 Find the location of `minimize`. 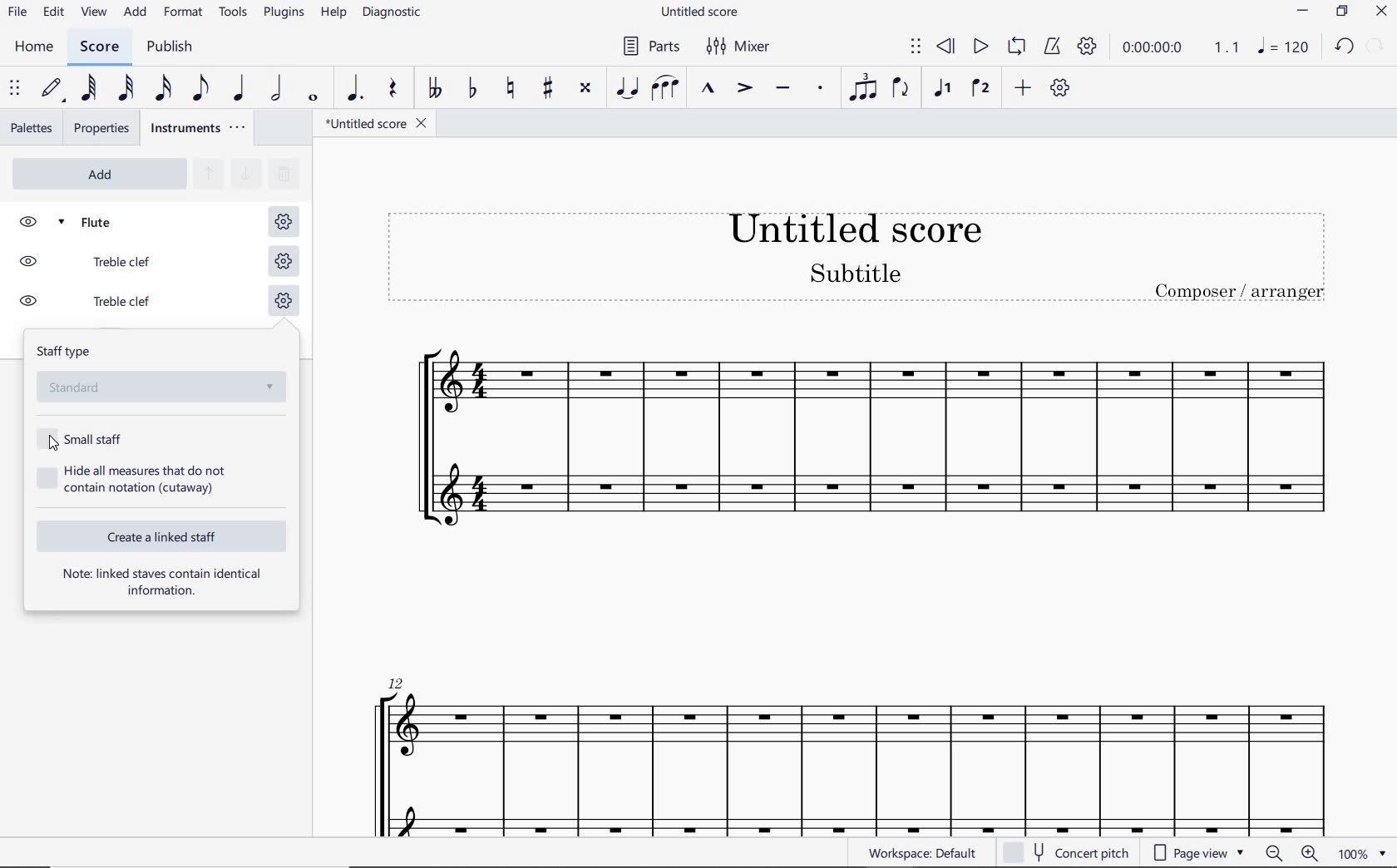

minimize is located at coordinates (1302, 11).